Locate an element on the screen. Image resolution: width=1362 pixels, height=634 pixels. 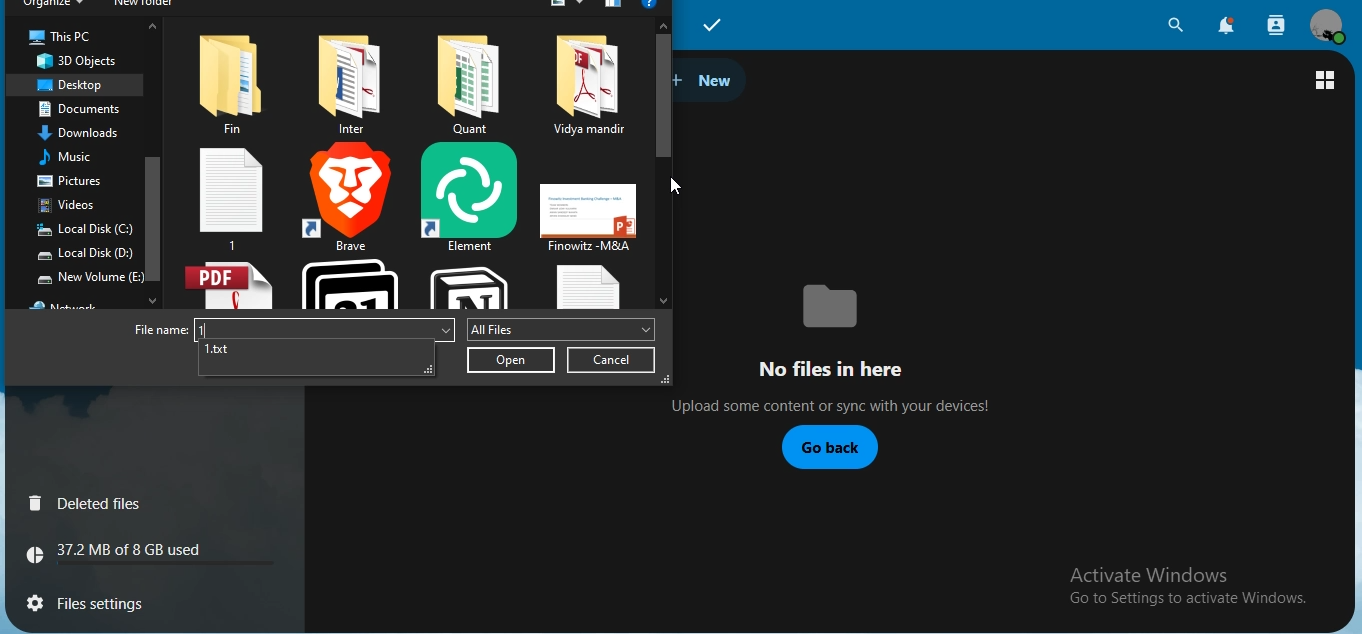
view is located at coordinates (1324, 81).